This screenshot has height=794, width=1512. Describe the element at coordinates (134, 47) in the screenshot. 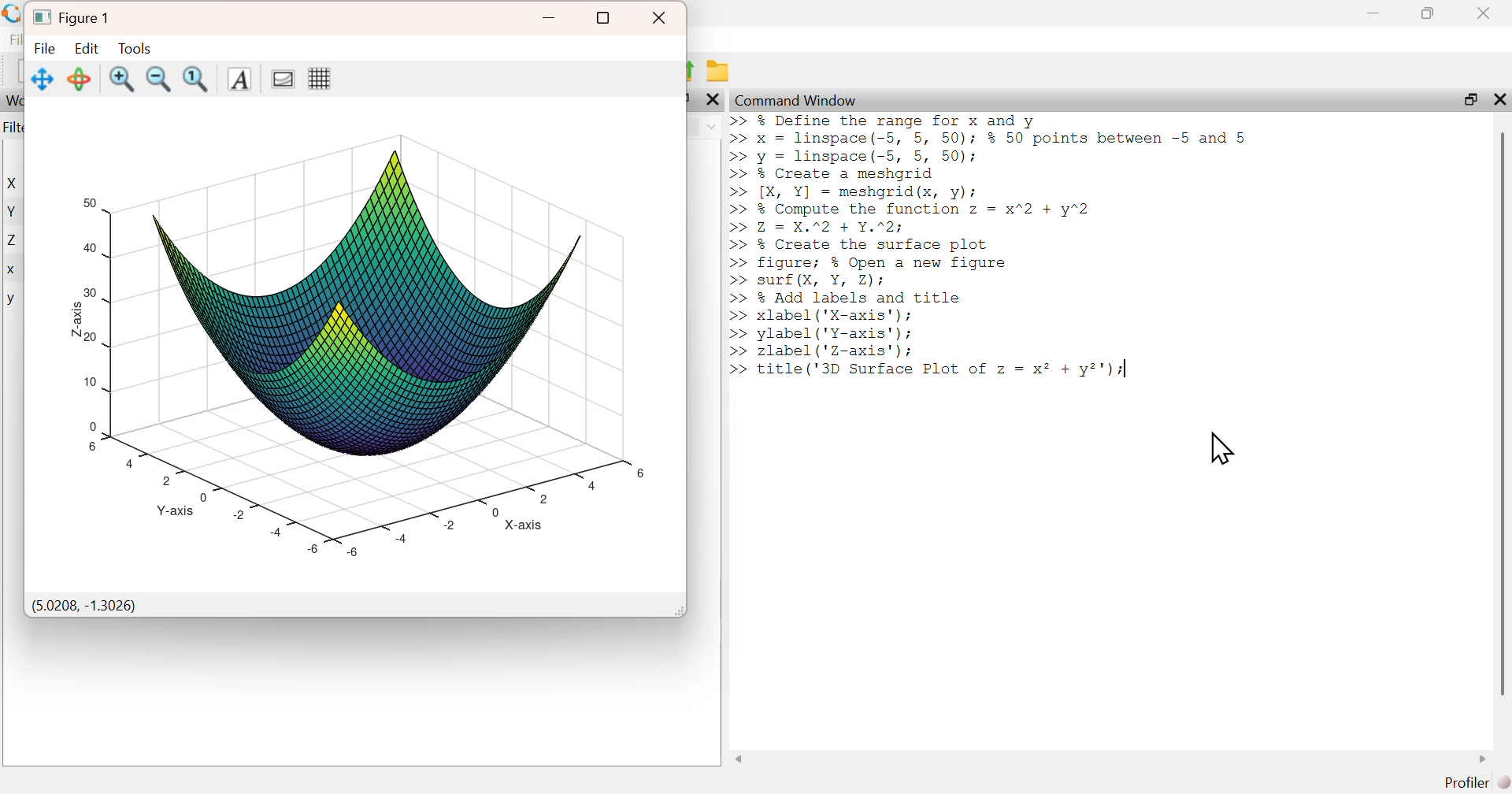

I see `Tools` at that location.